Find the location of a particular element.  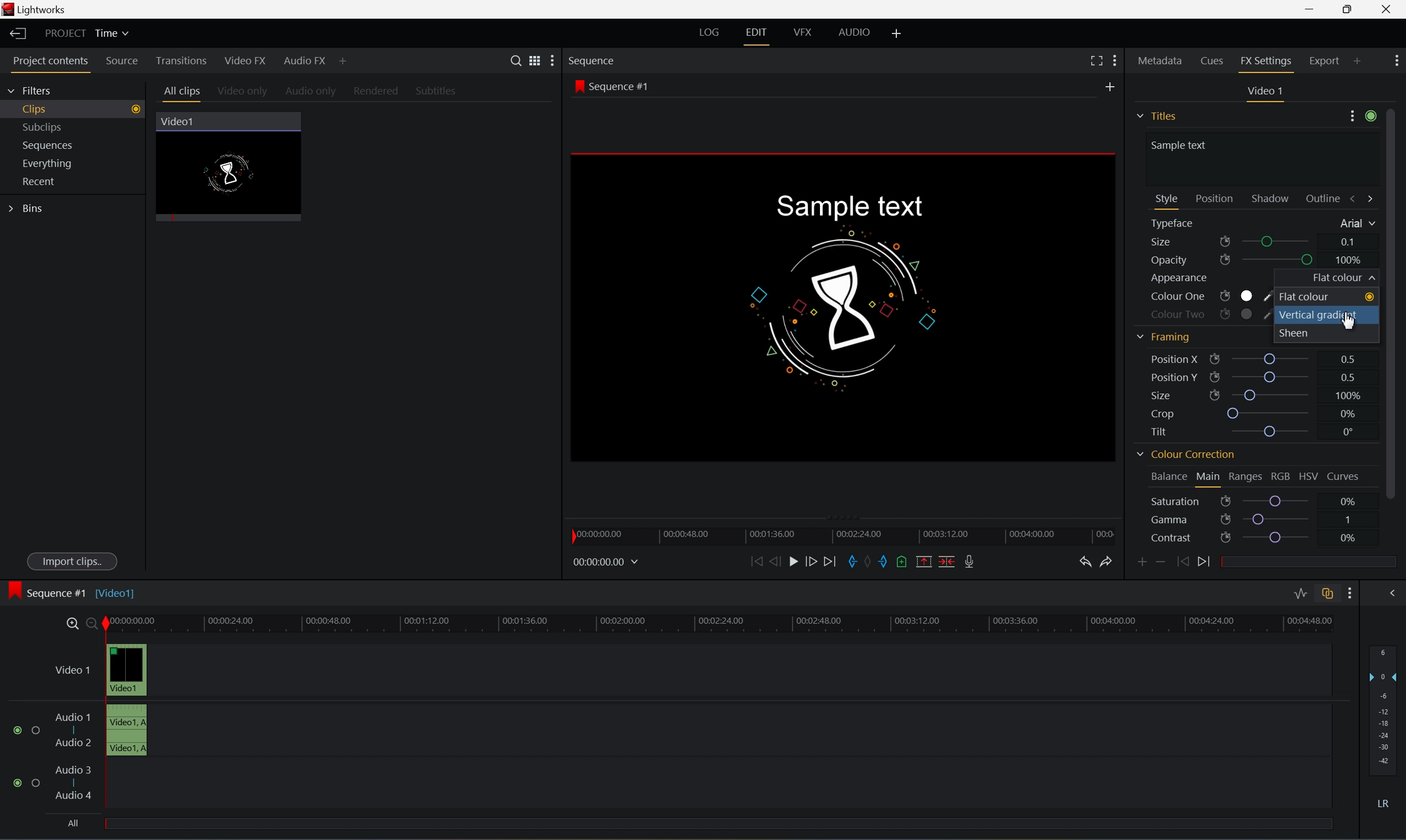

more is located at coordinates (549, 62).